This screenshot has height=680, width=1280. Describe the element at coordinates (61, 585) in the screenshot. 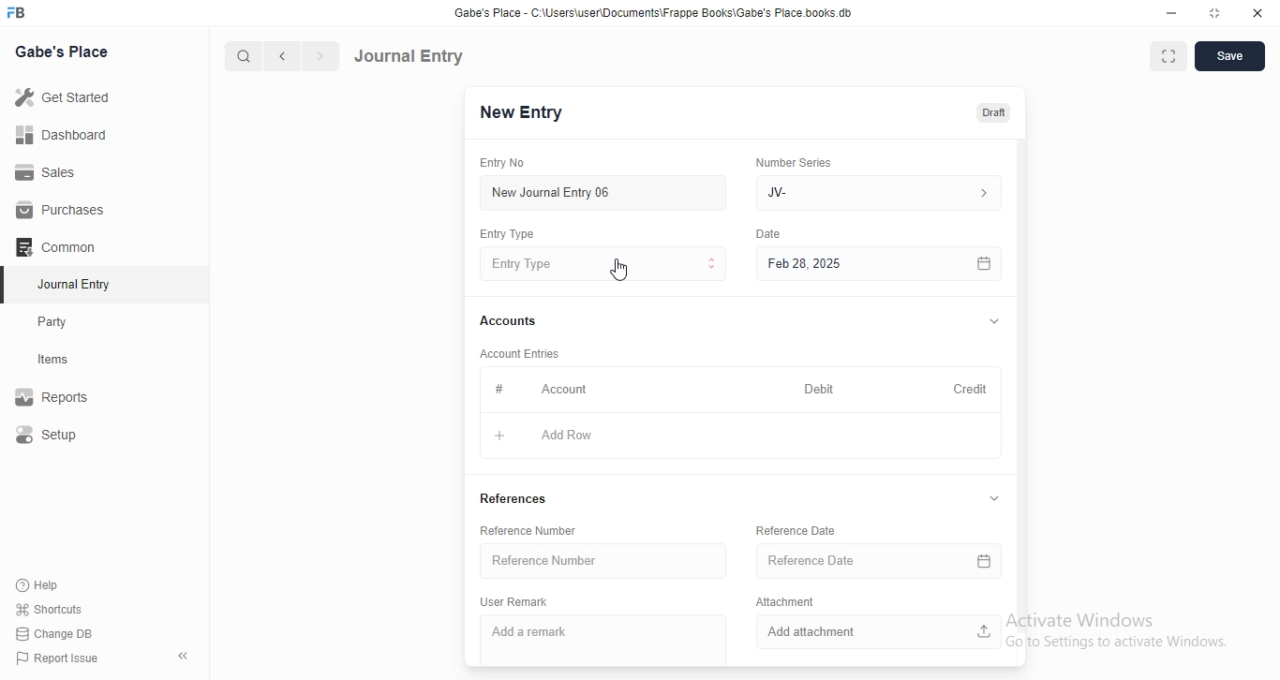

I see `‘Help` at that location.